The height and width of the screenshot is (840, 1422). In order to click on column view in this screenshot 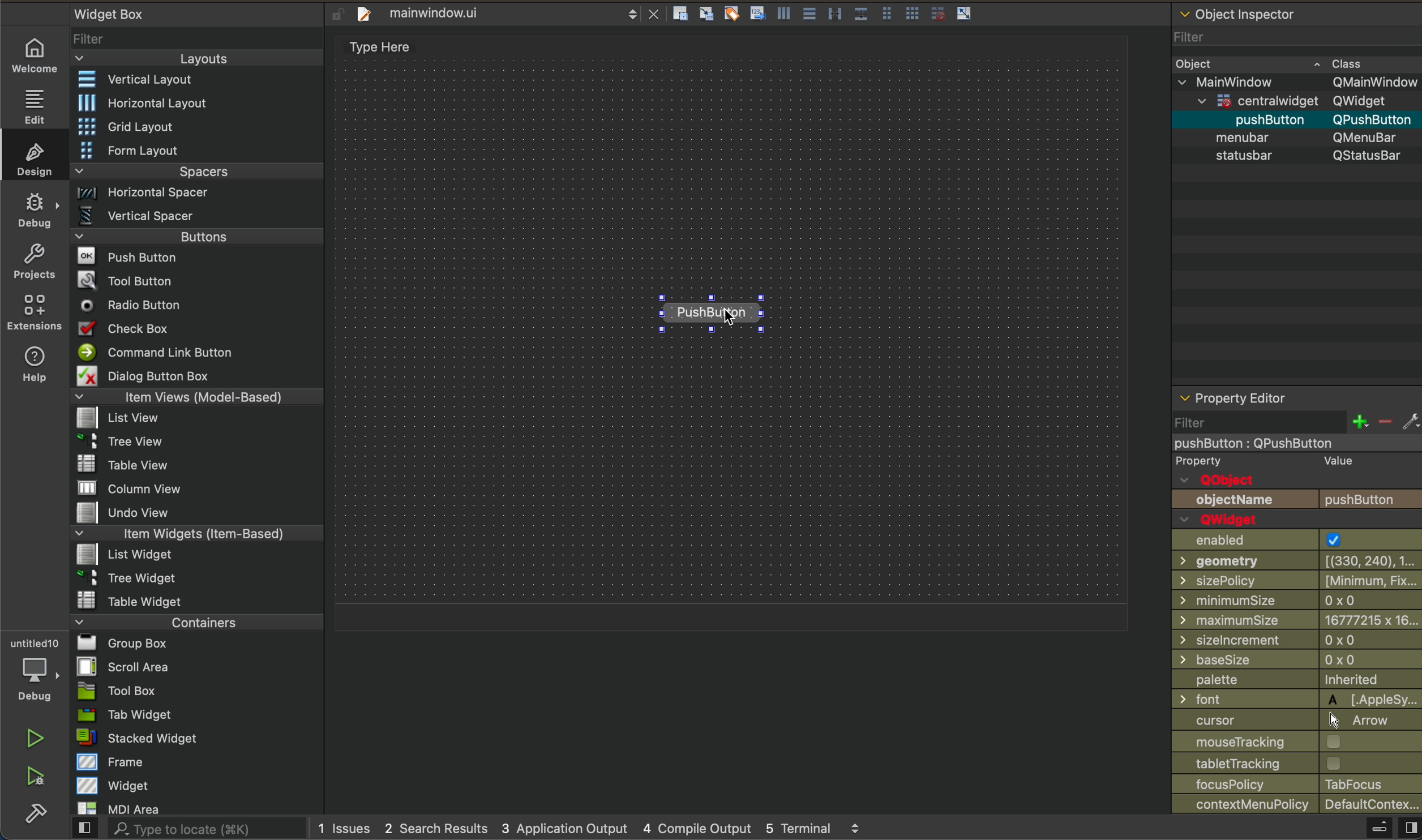, I will do `click(195, 488)`.